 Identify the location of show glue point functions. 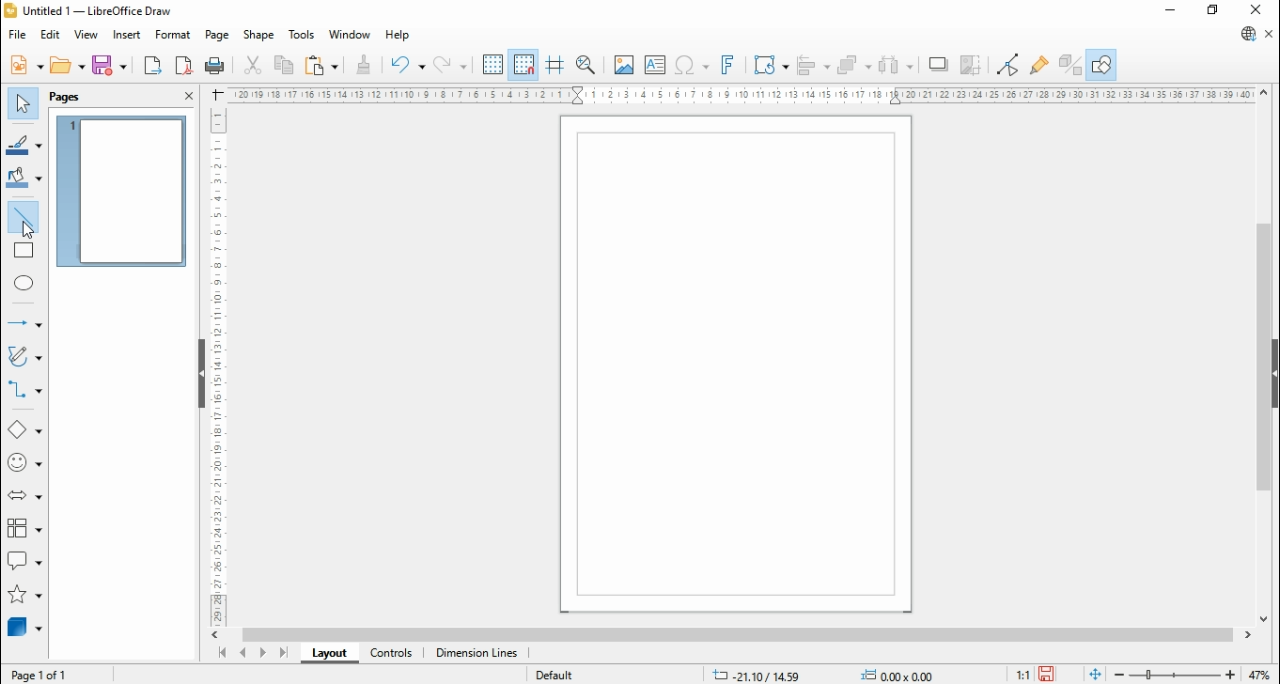
(1038, 64).